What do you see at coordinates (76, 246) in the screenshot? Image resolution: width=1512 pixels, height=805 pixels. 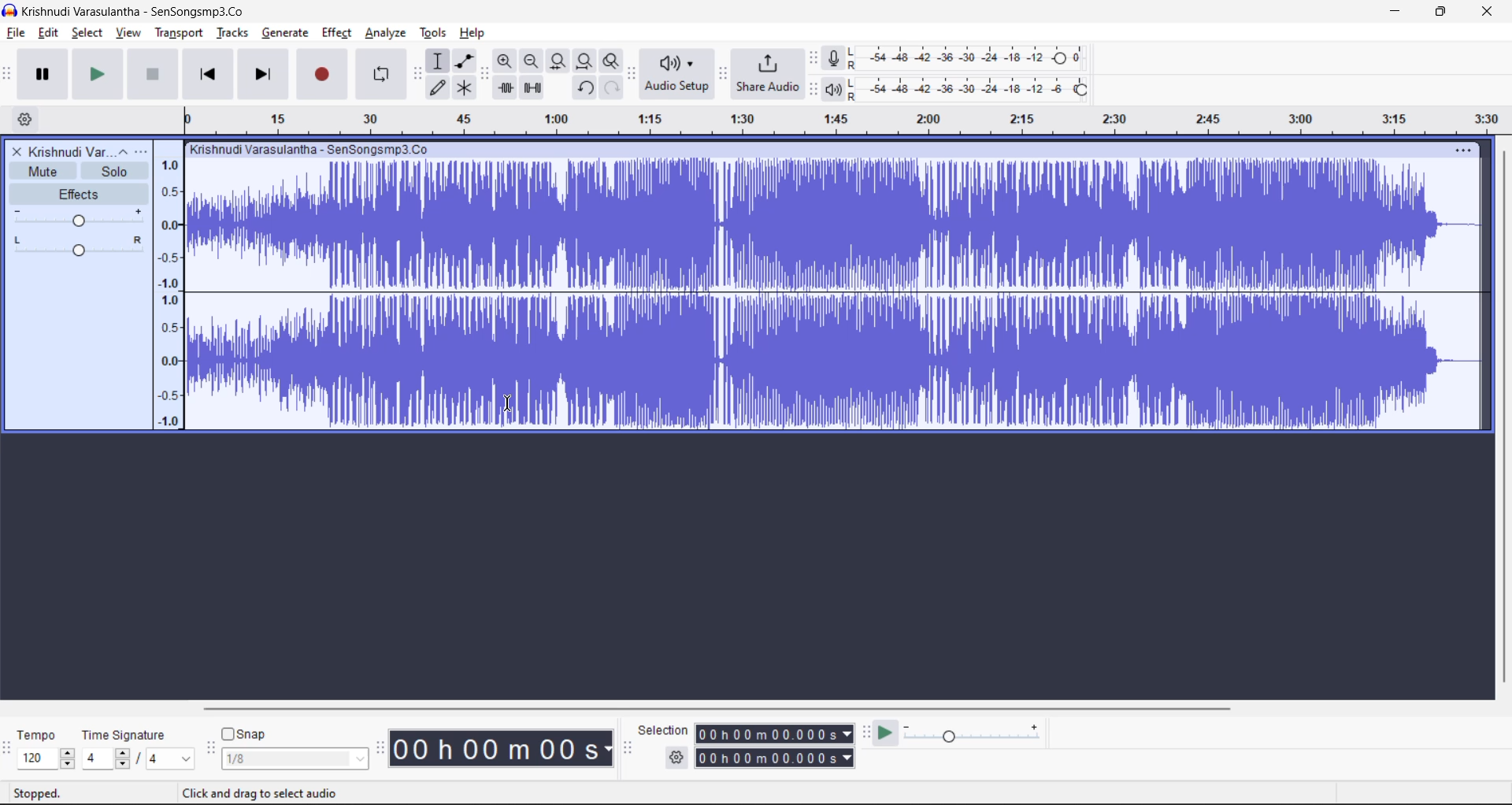 I see `speaker slider` at bounding box center [76, 246].